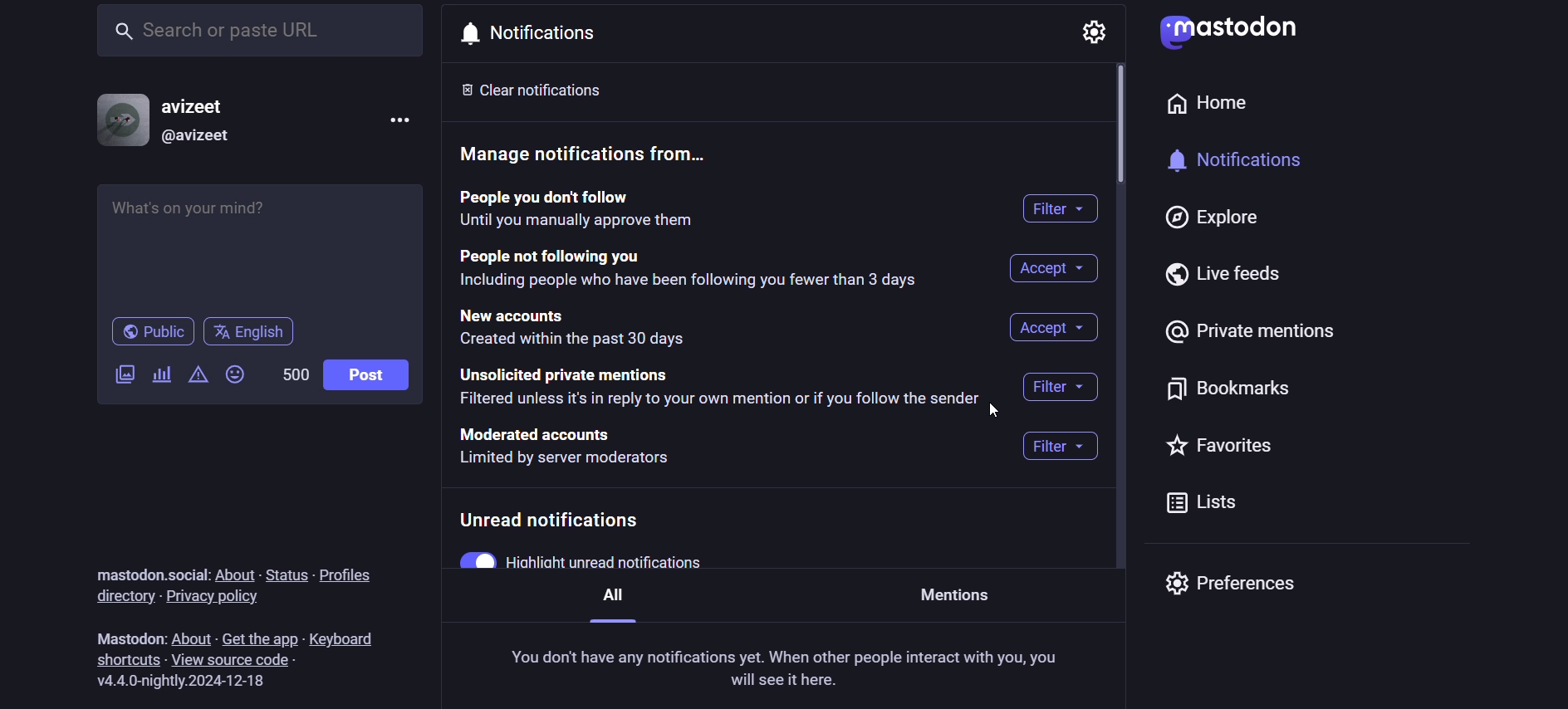 This screenshot has width=1568, height=709. Describe the element at coordinates (189, 684) in the screenshot. I see `Version` at that location.